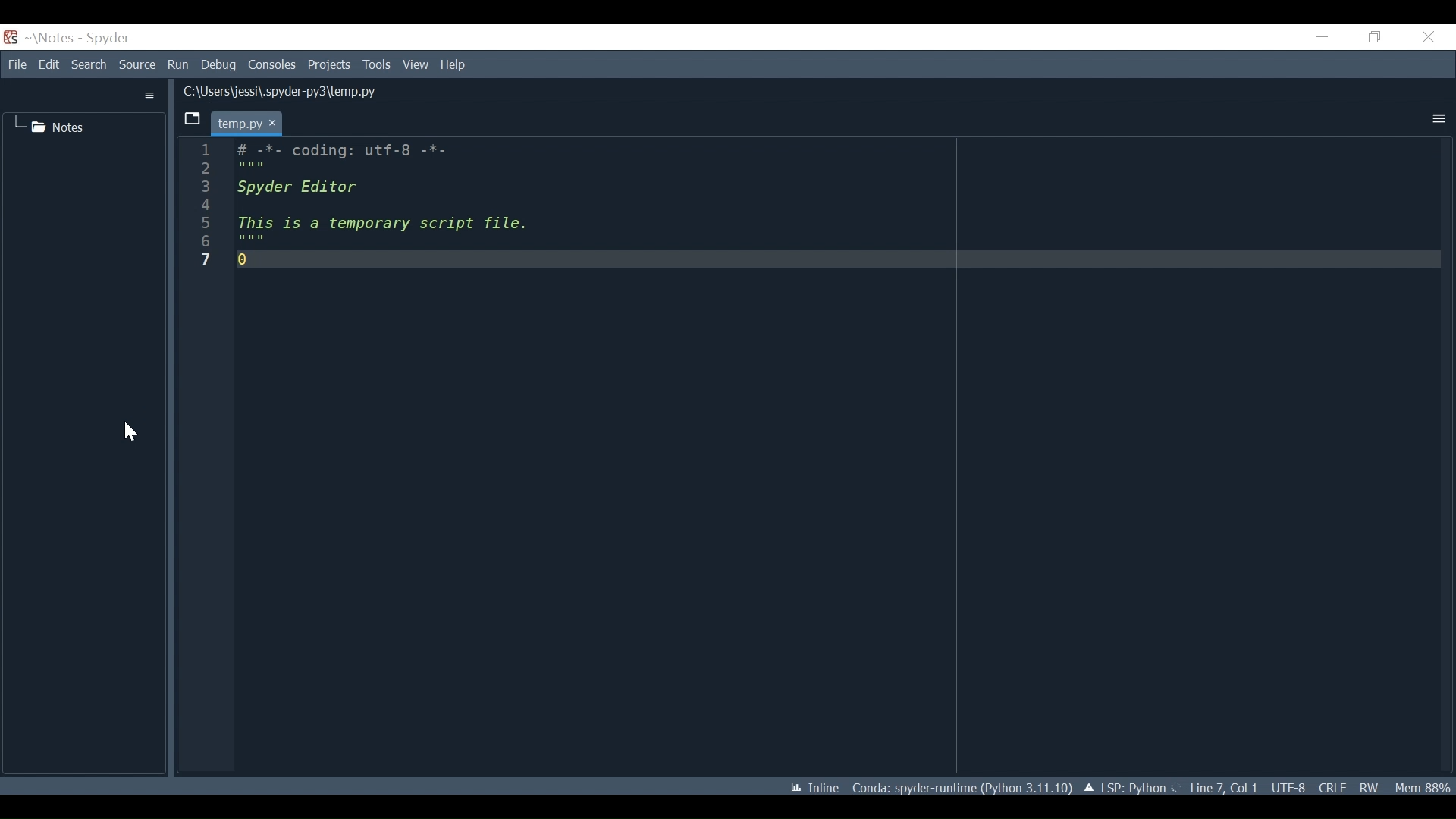 This screenshot has width=1456, height=819. I want to click on Project Folder, so click(49, 127).